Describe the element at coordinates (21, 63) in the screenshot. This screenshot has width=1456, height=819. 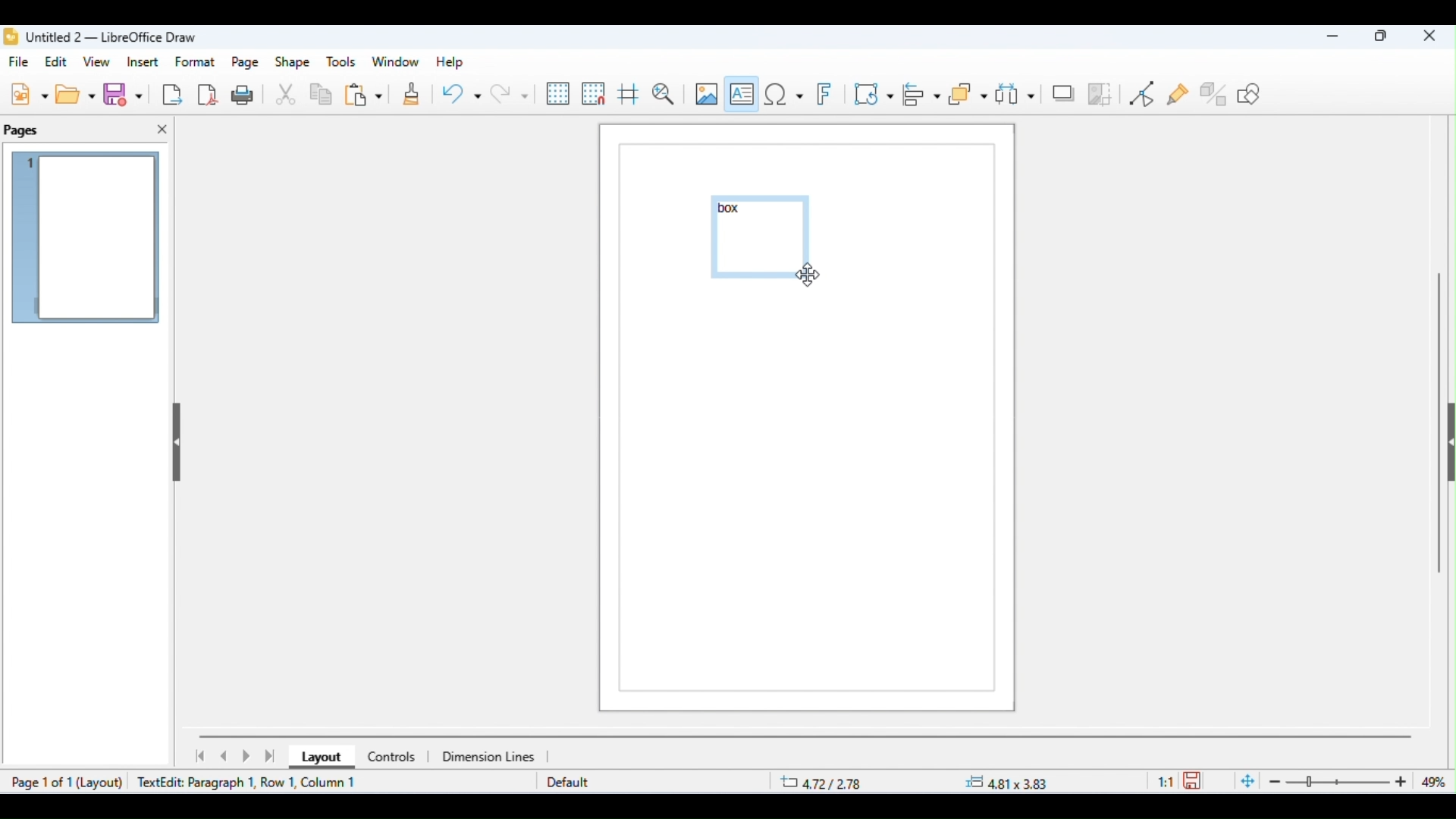
I see `file` at that location.